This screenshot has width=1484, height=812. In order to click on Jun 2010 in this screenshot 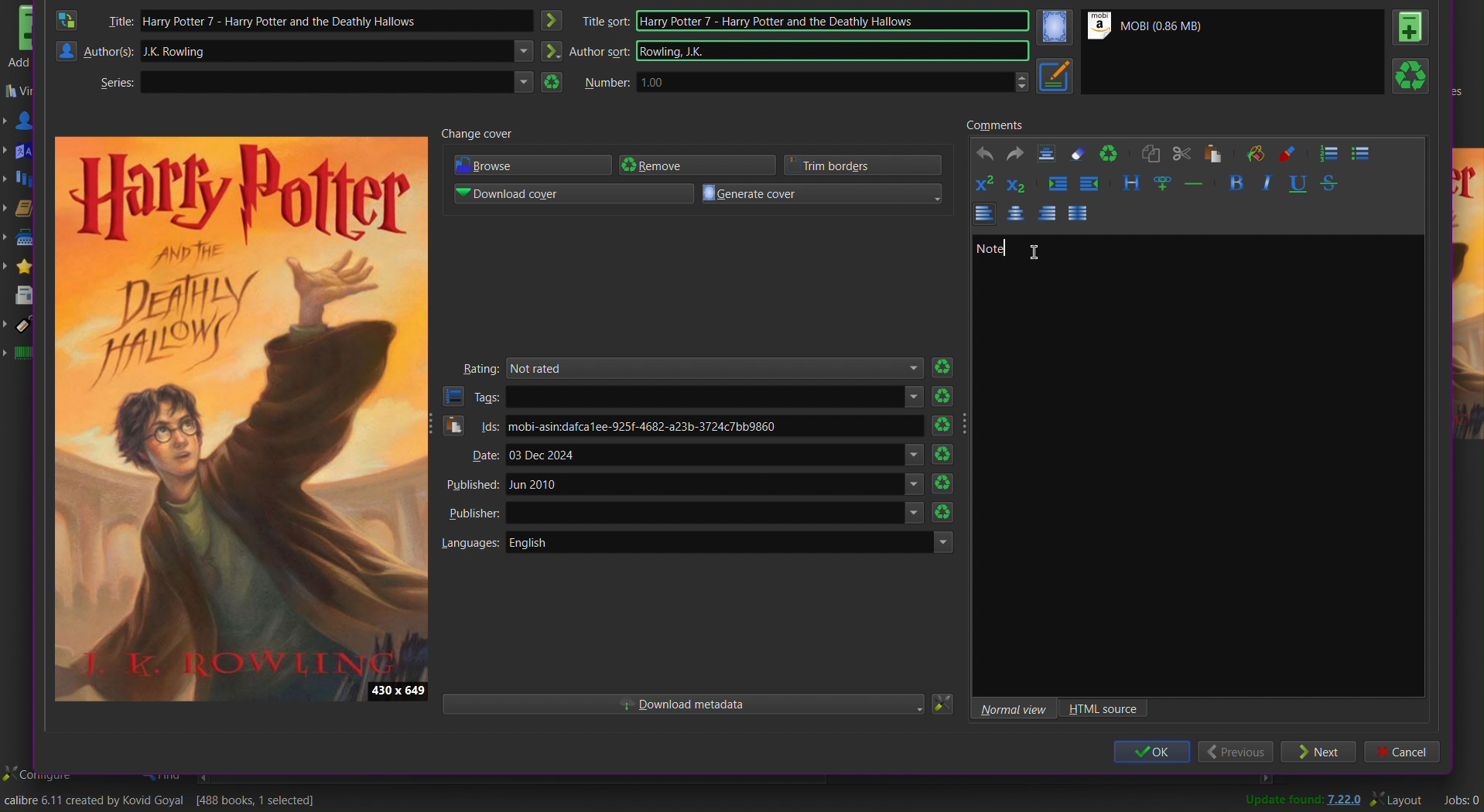, I will do `click(713, 486)`.